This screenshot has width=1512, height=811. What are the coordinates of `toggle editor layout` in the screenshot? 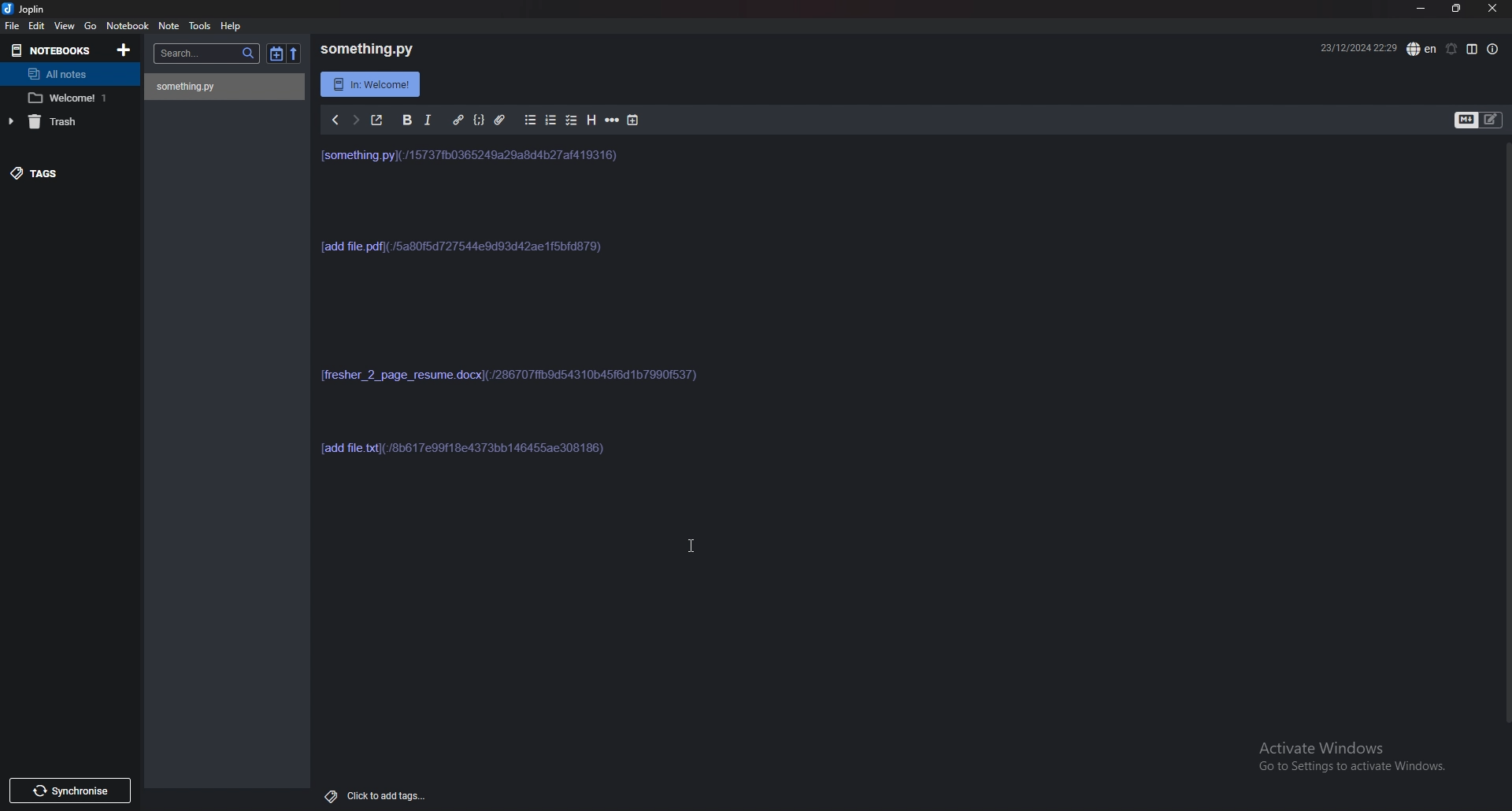 It's located at (1473, 50).